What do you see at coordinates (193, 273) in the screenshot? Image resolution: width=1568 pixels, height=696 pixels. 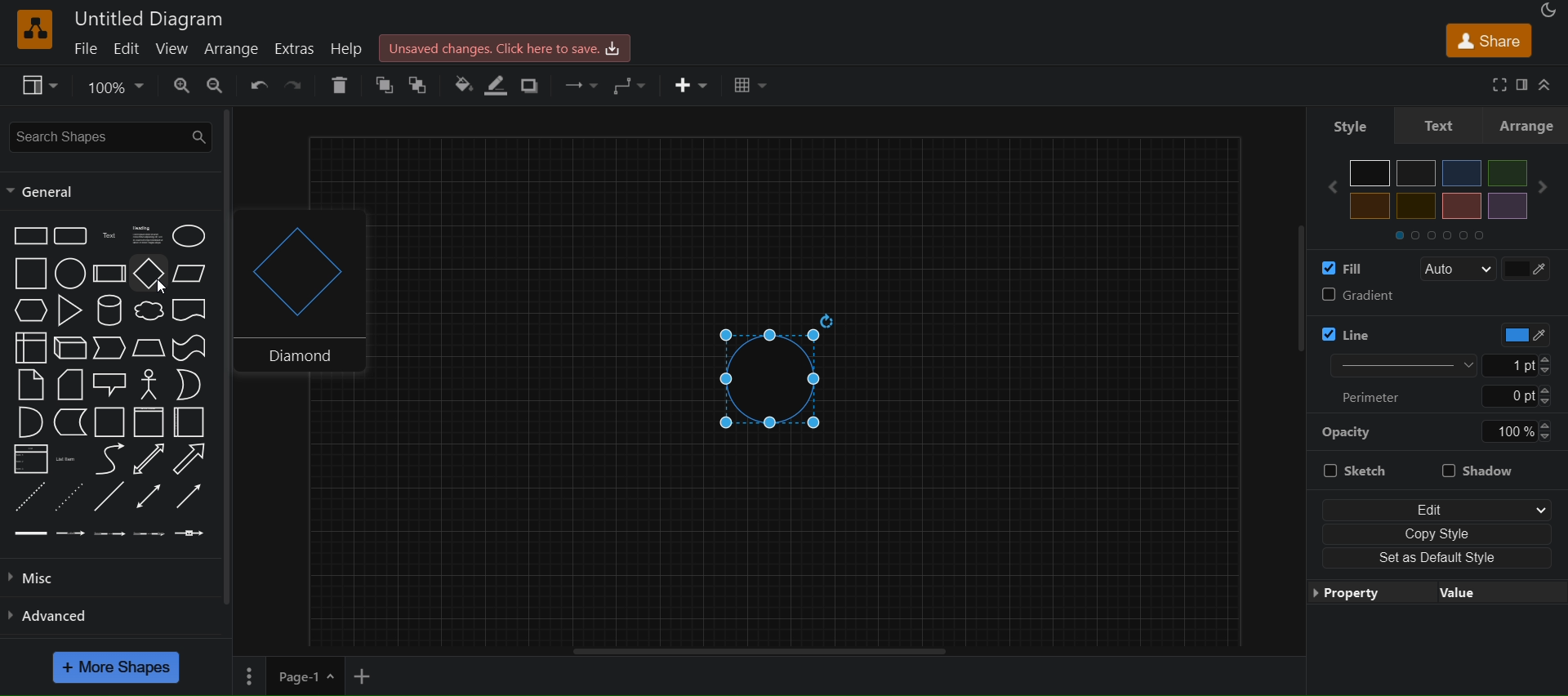 I see `parallelogram` at bounding box center [193, 273].